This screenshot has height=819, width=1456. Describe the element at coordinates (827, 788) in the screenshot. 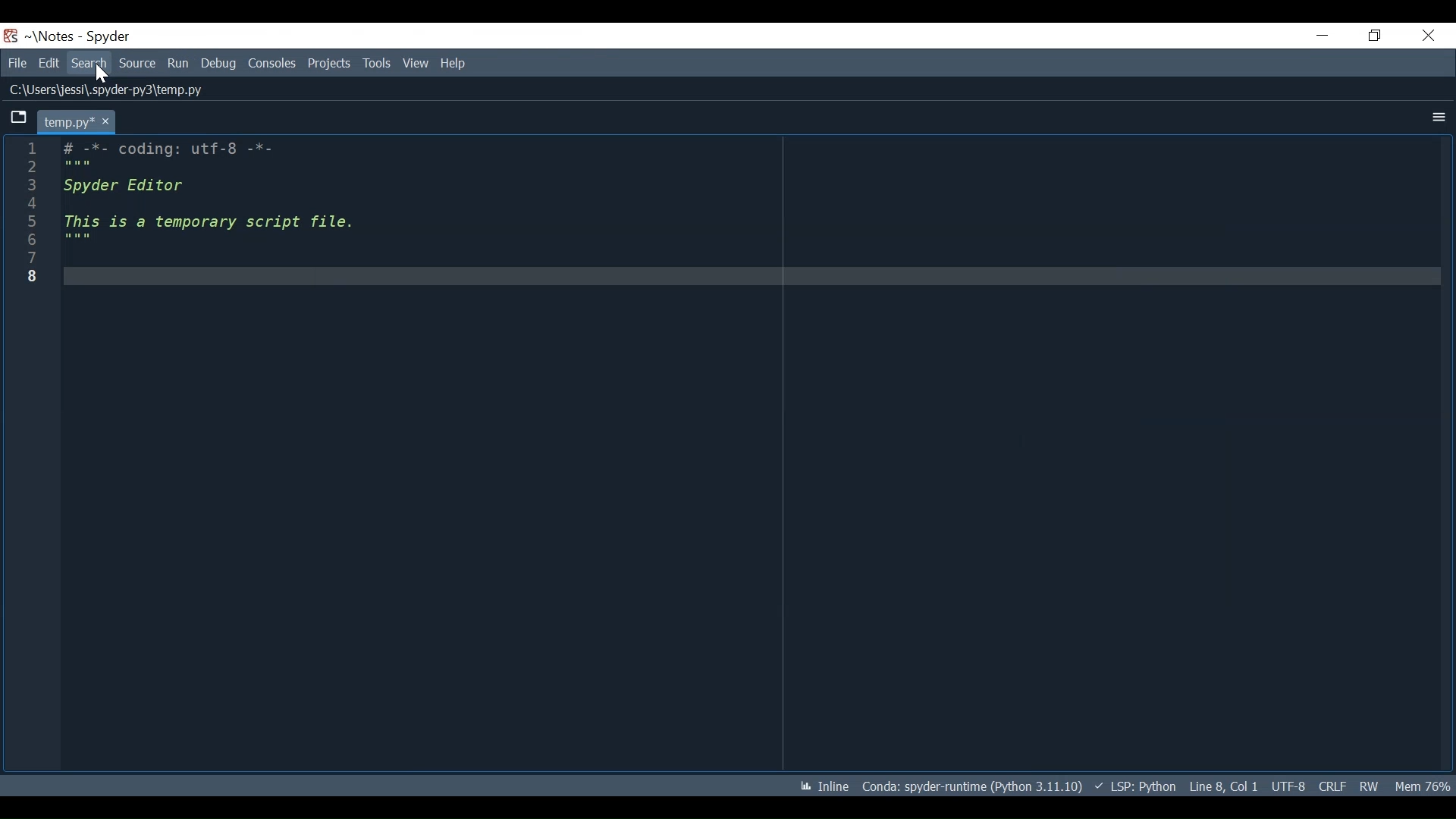

I see `Toggle inline and interactive Matplotlib plotting` at that location.